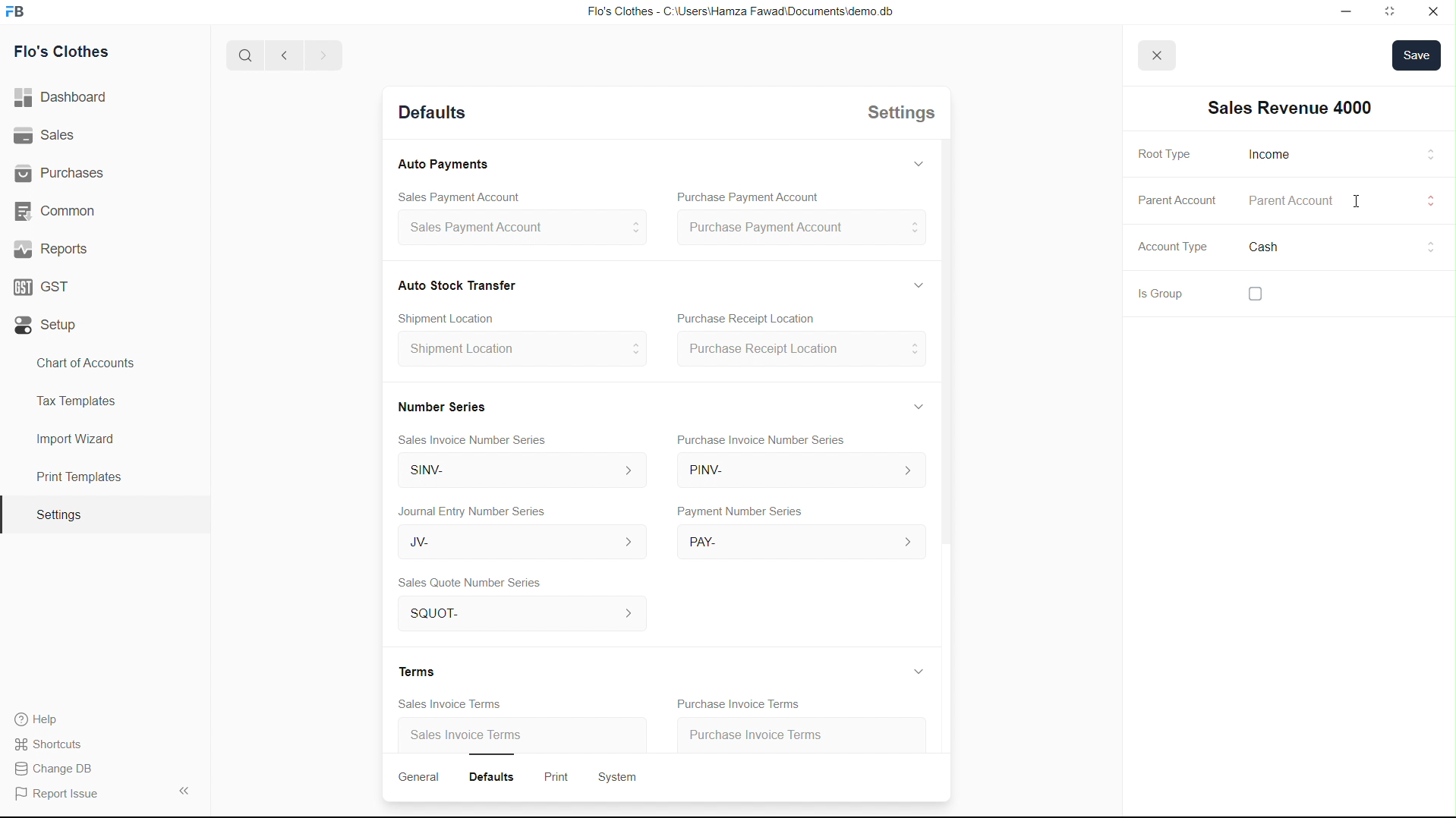 The image size is (1456, 818). What do you see at coordinates (440, 404) in the screenshot?
I see `Number Series` at bounding box center [440, 404].